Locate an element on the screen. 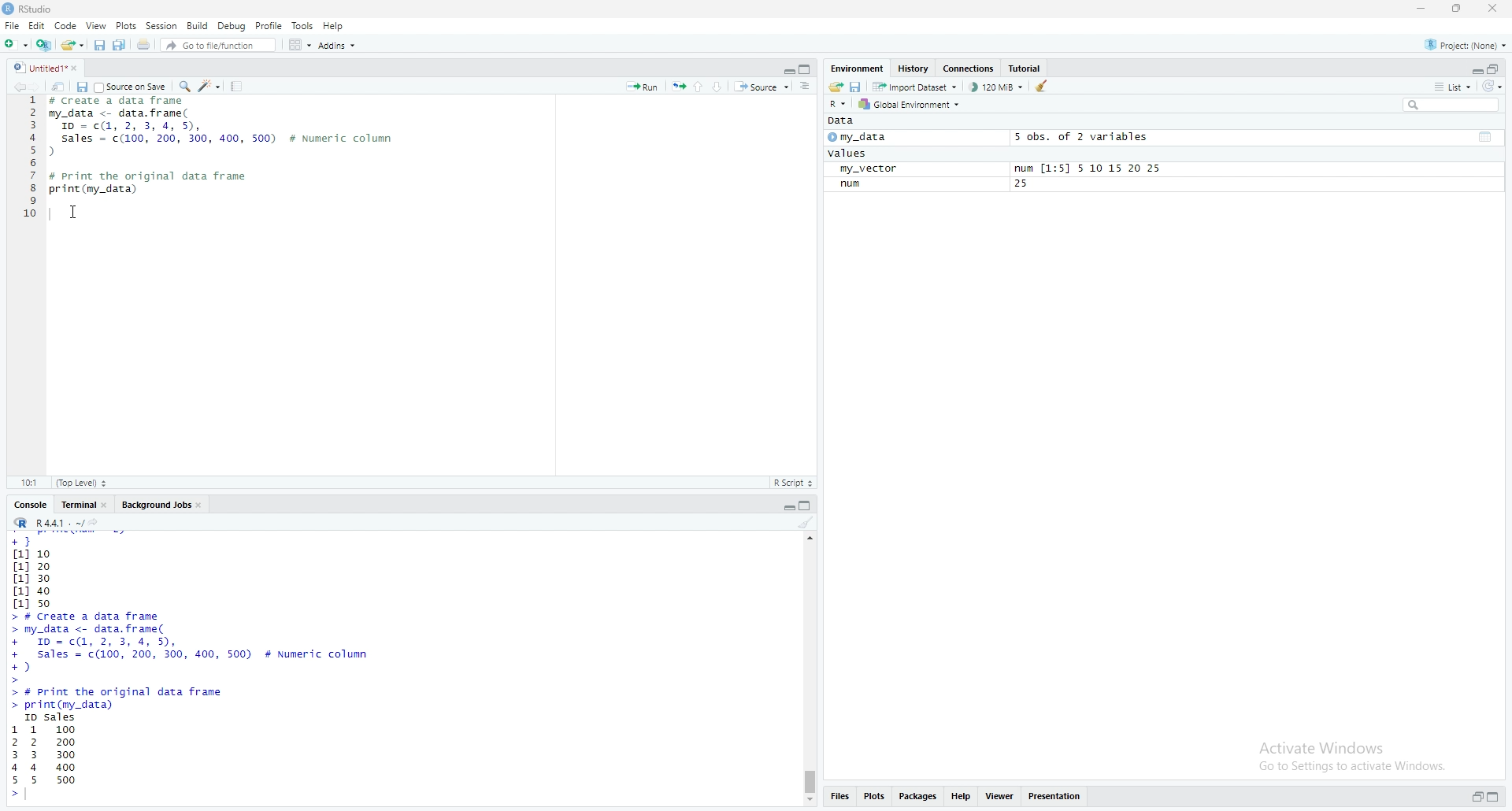 Image resolution: width=1512 pixels, height=811 pixels. source the contents of the active document is located at coordinates (763, 87).